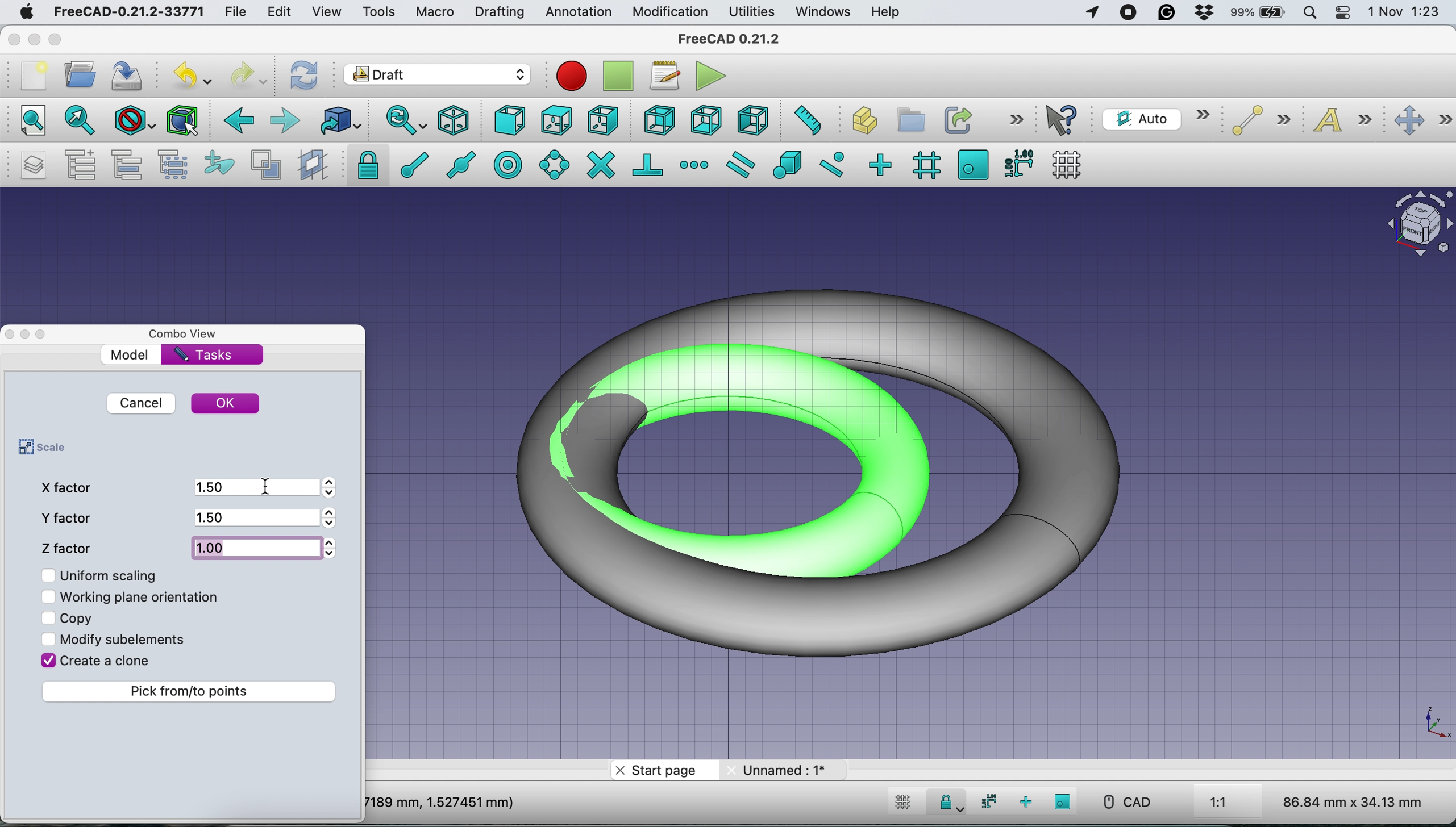 The height and width of the screenshot is (827, 1456). Describe the element at coordinates (39, 448) in the screenshot. I see `scale` at that location.